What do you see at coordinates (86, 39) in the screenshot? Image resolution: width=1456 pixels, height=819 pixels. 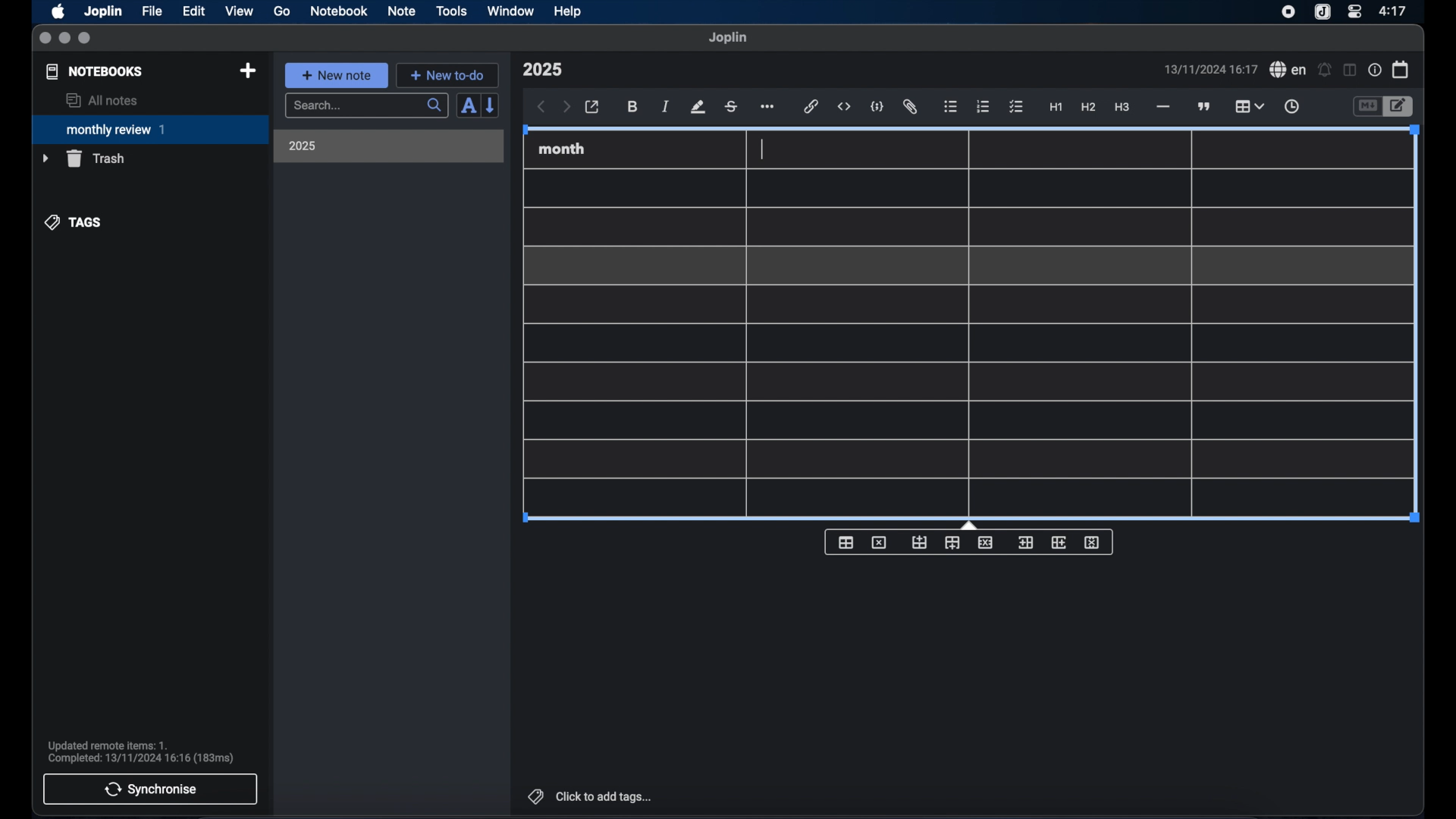 I see `maximize` at bounding box center [86, 39].